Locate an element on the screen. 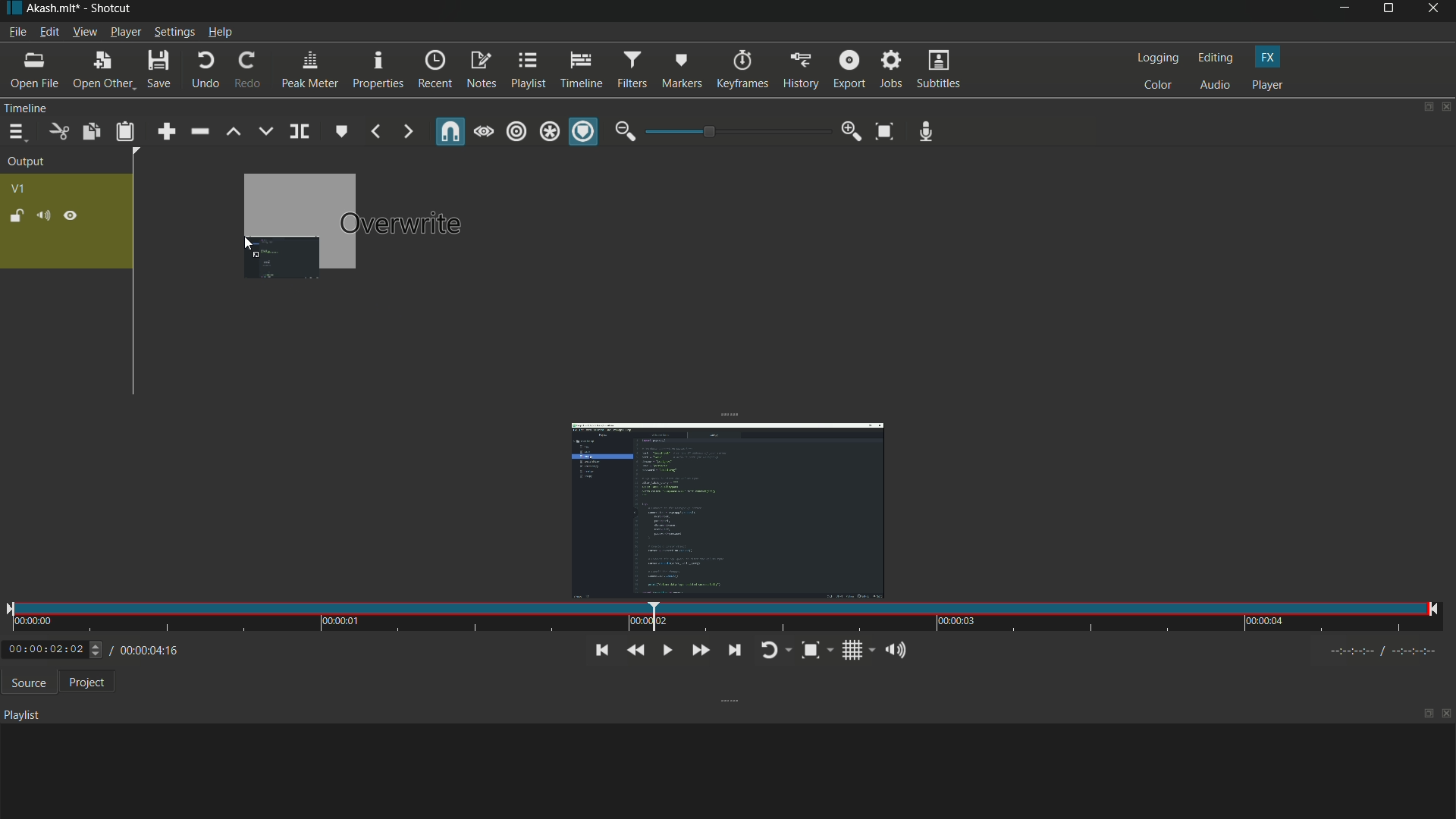 This screenshot has width=1456, height=819. adjustment bar is located at coordinates (736, 132).